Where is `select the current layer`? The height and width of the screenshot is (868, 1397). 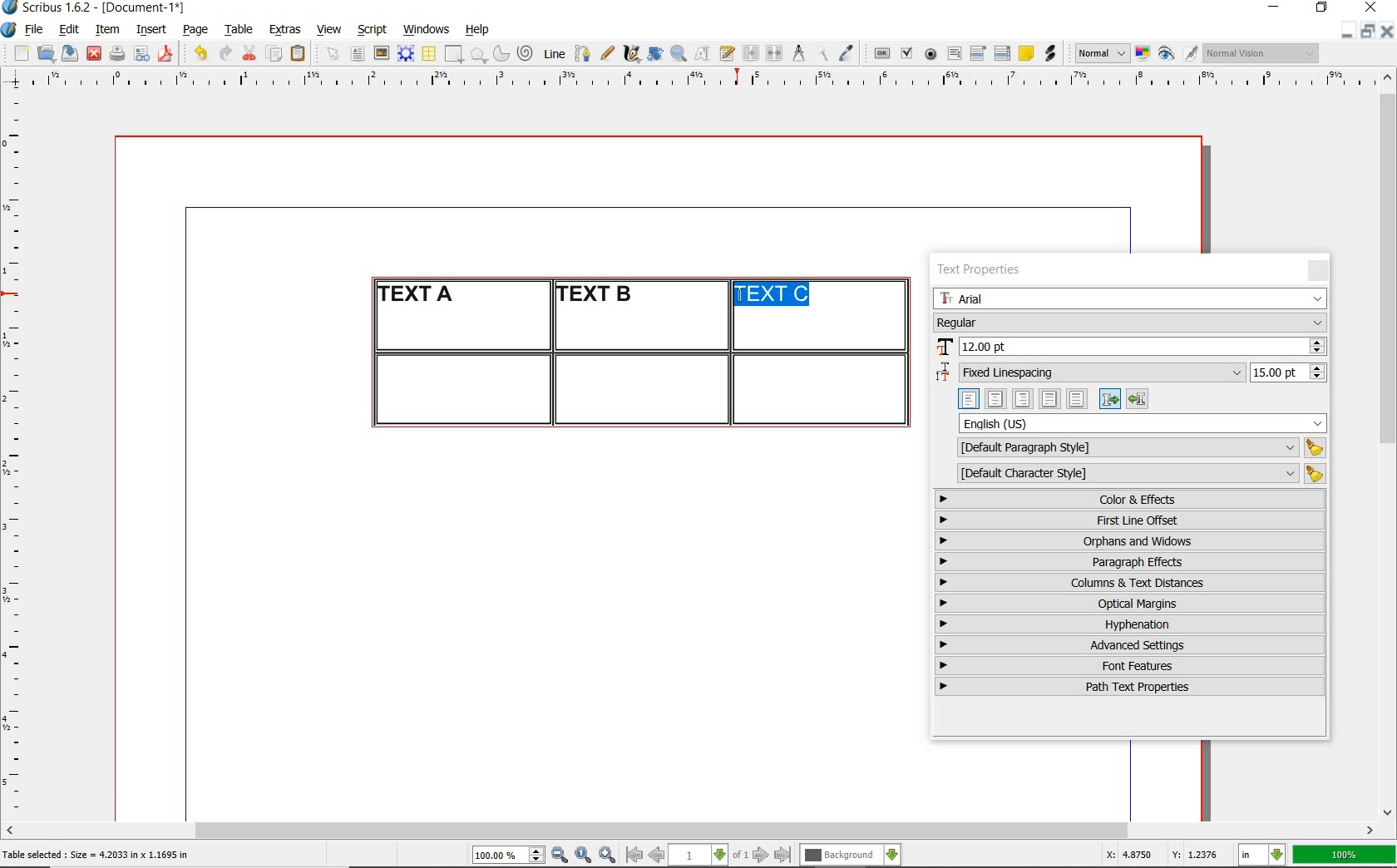 select the current layer is located at coordinates (851, 856).